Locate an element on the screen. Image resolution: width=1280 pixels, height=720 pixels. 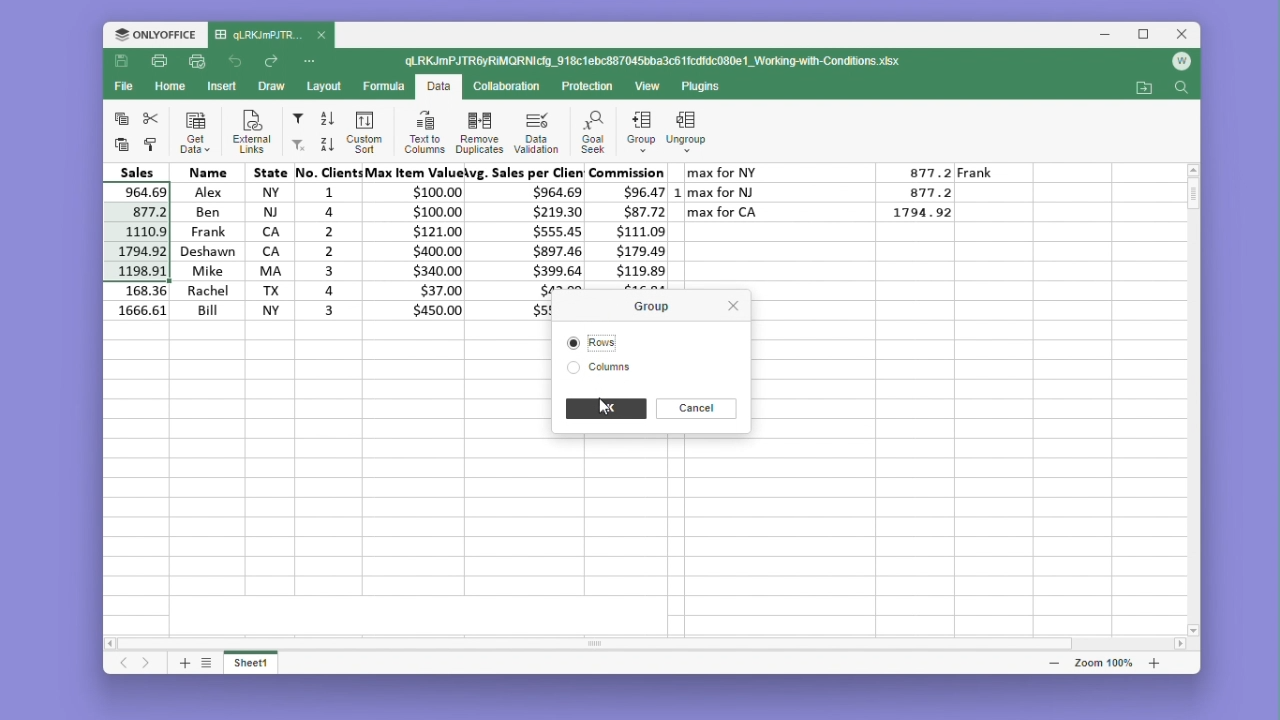
cursor is located at coordinates (651, 144).